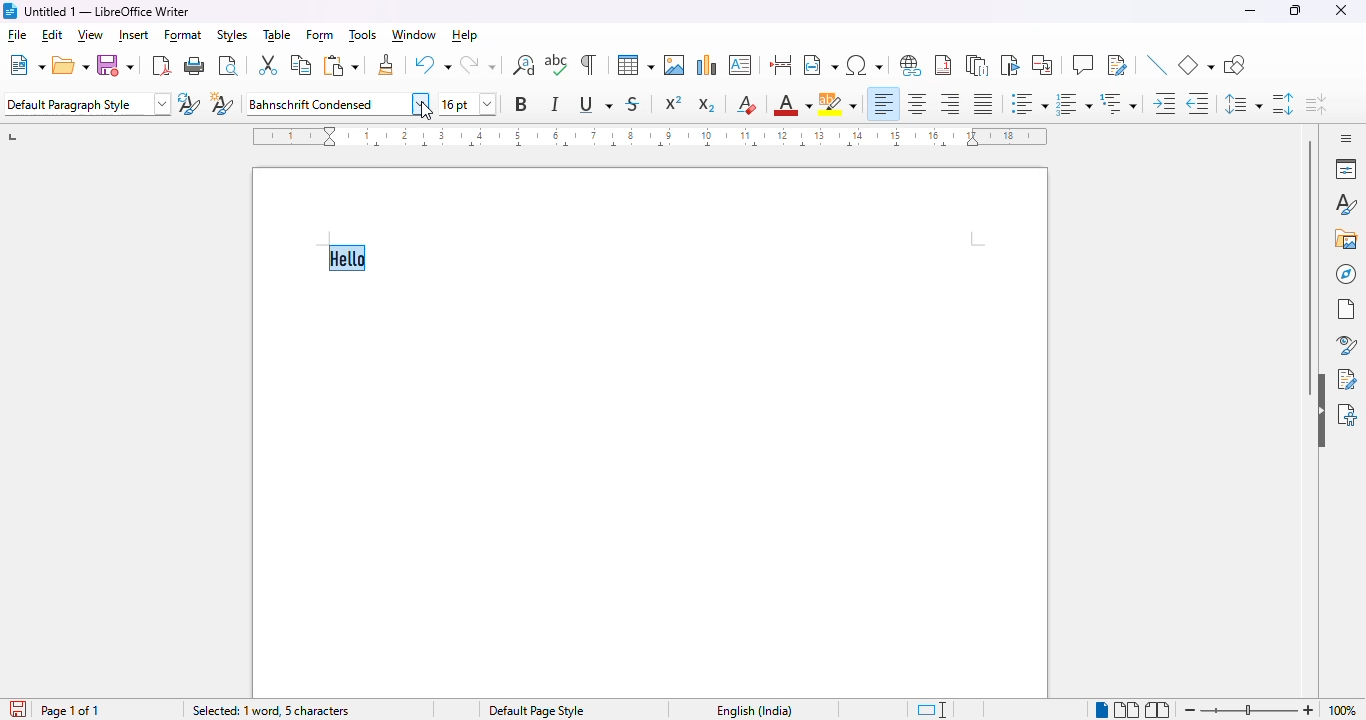 Image resolution: width=1366 pixels, height=720 pixels. Describe the element at coordinates (647, 135) in the screenshot. I see `ruler` at that location.